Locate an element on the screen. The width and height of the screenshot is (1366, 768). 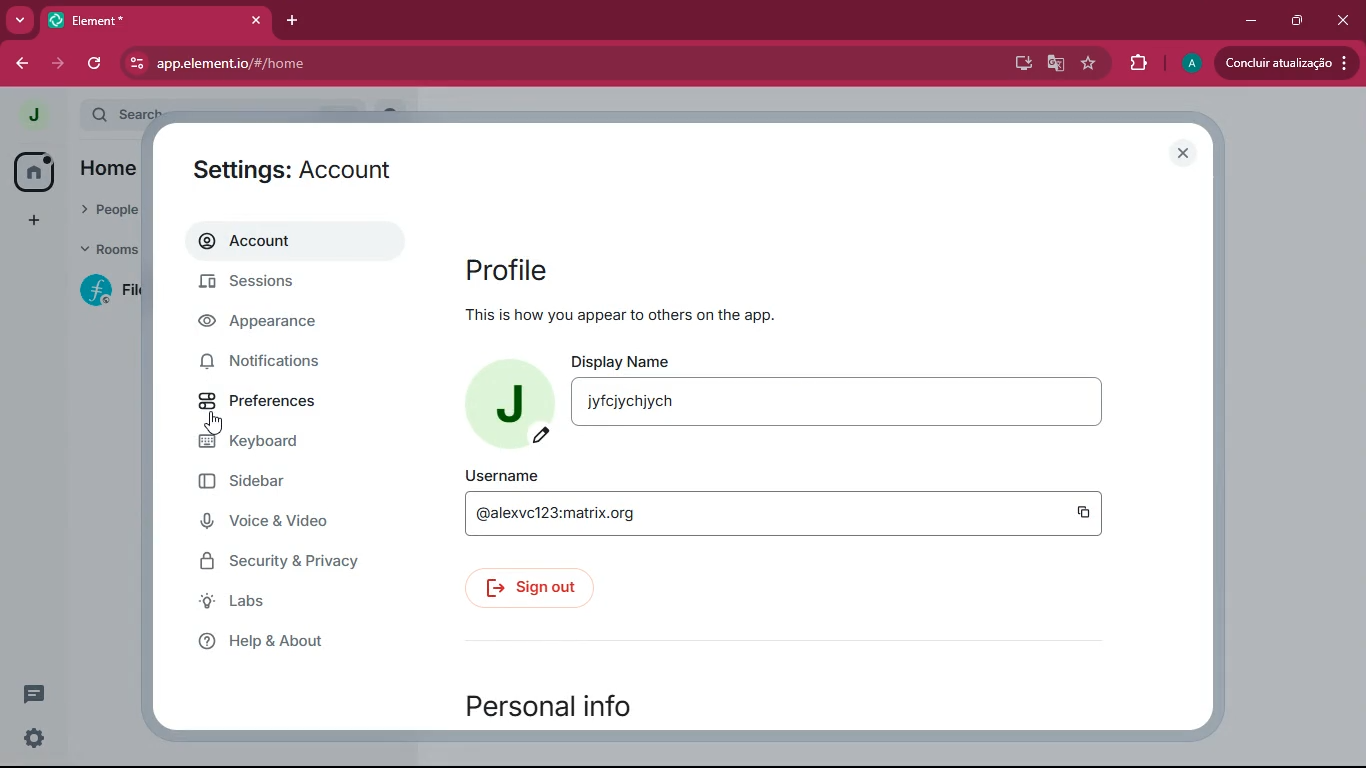
minimize is located at coordinates (1246, 21).